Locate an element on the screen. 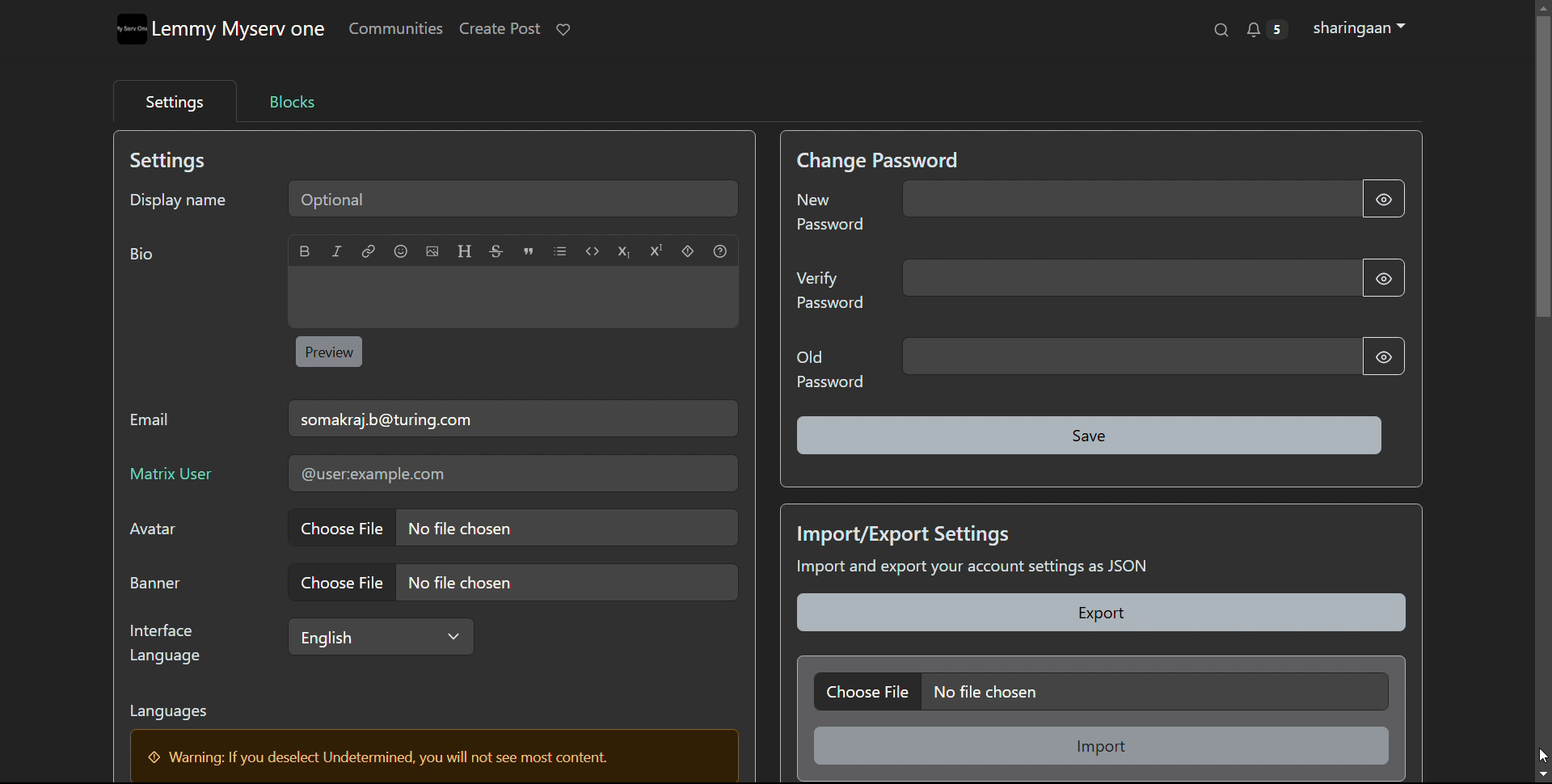  help is located at coordinates (719, 253).